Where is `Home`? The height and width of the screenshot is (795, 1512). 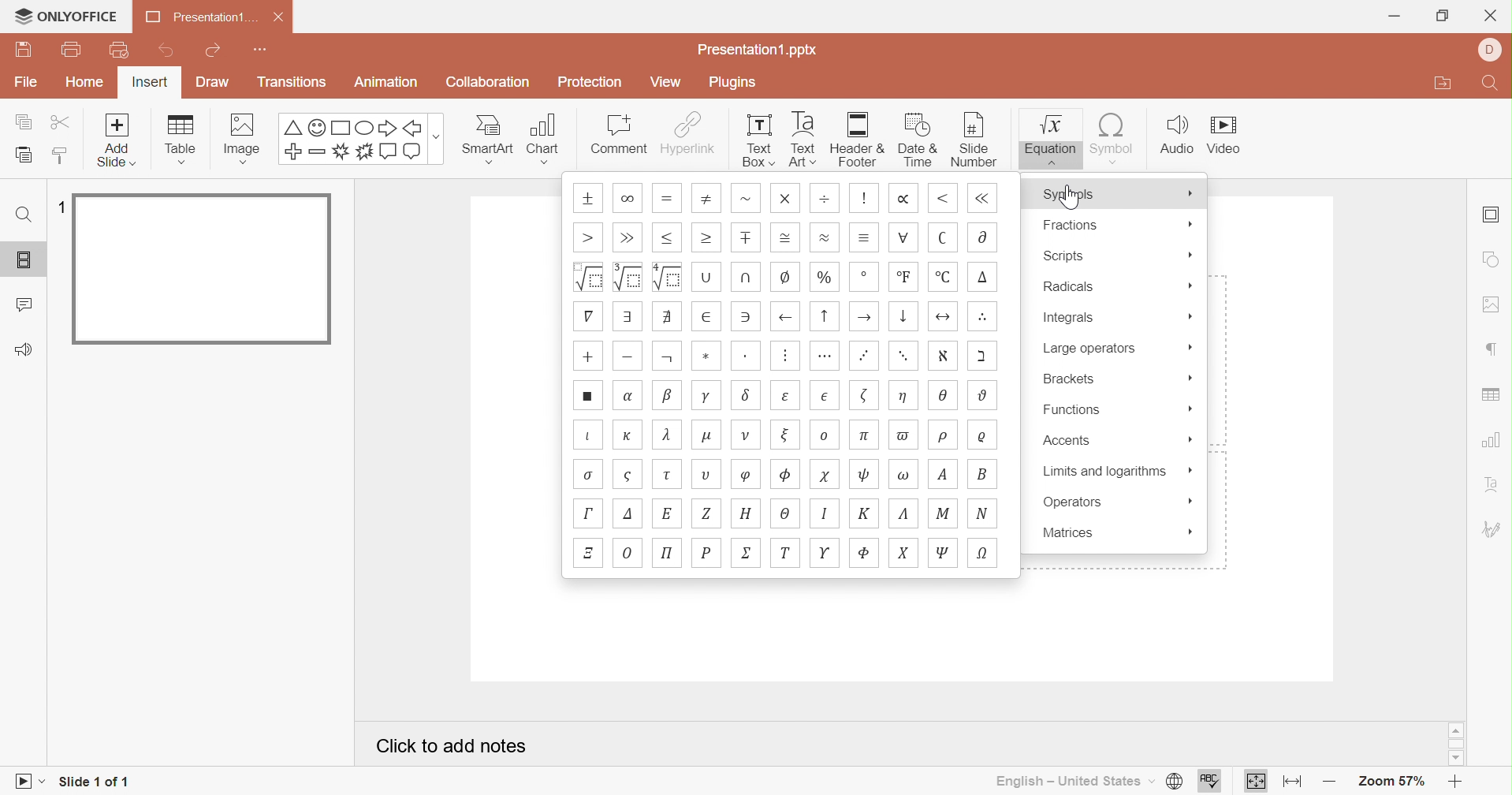
Home is located at coordinates (83, 84).